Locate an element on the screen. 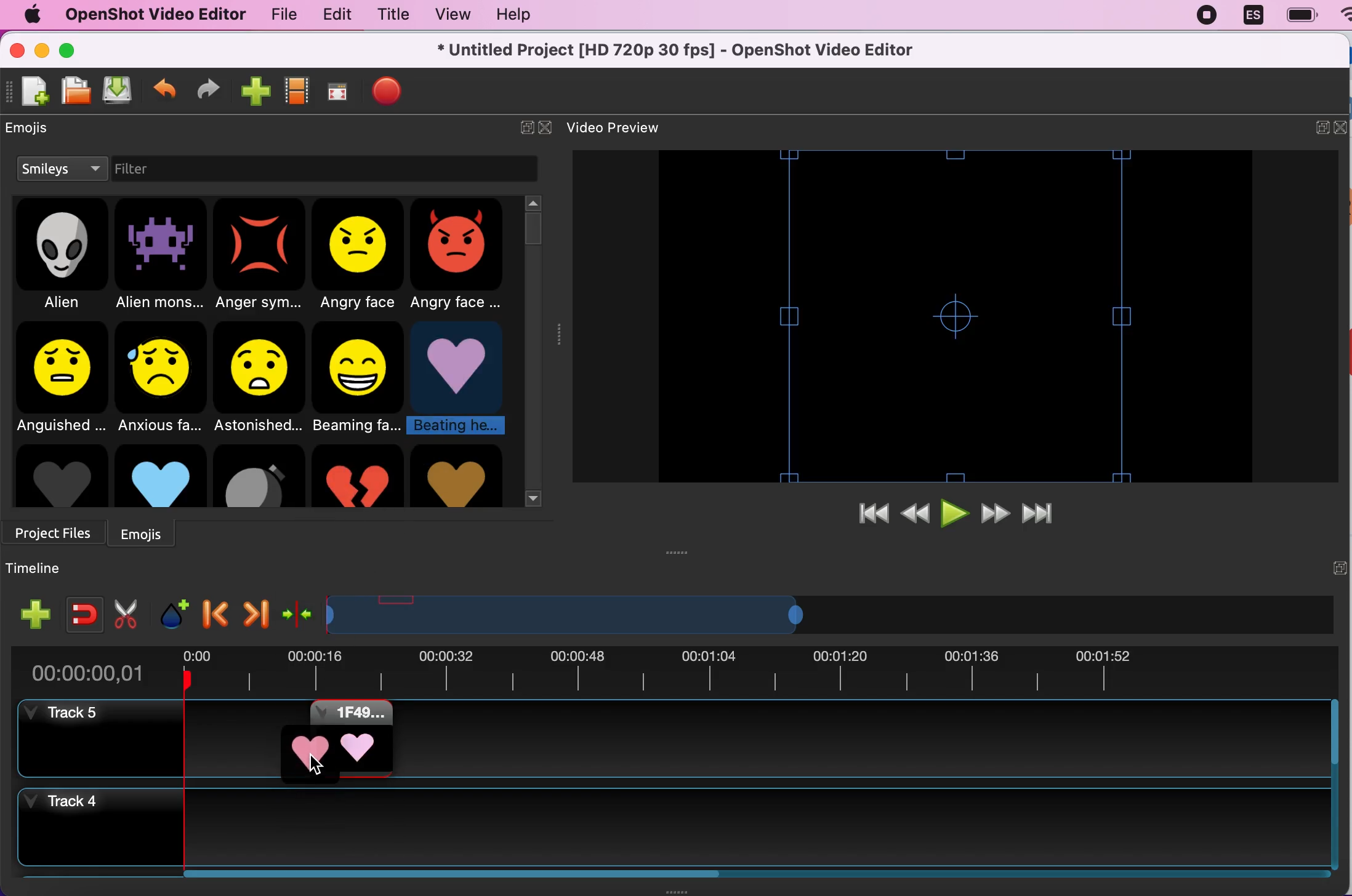 The height and width of the screenshot is (896, 1352). project files is located at coordinates (56, 529).